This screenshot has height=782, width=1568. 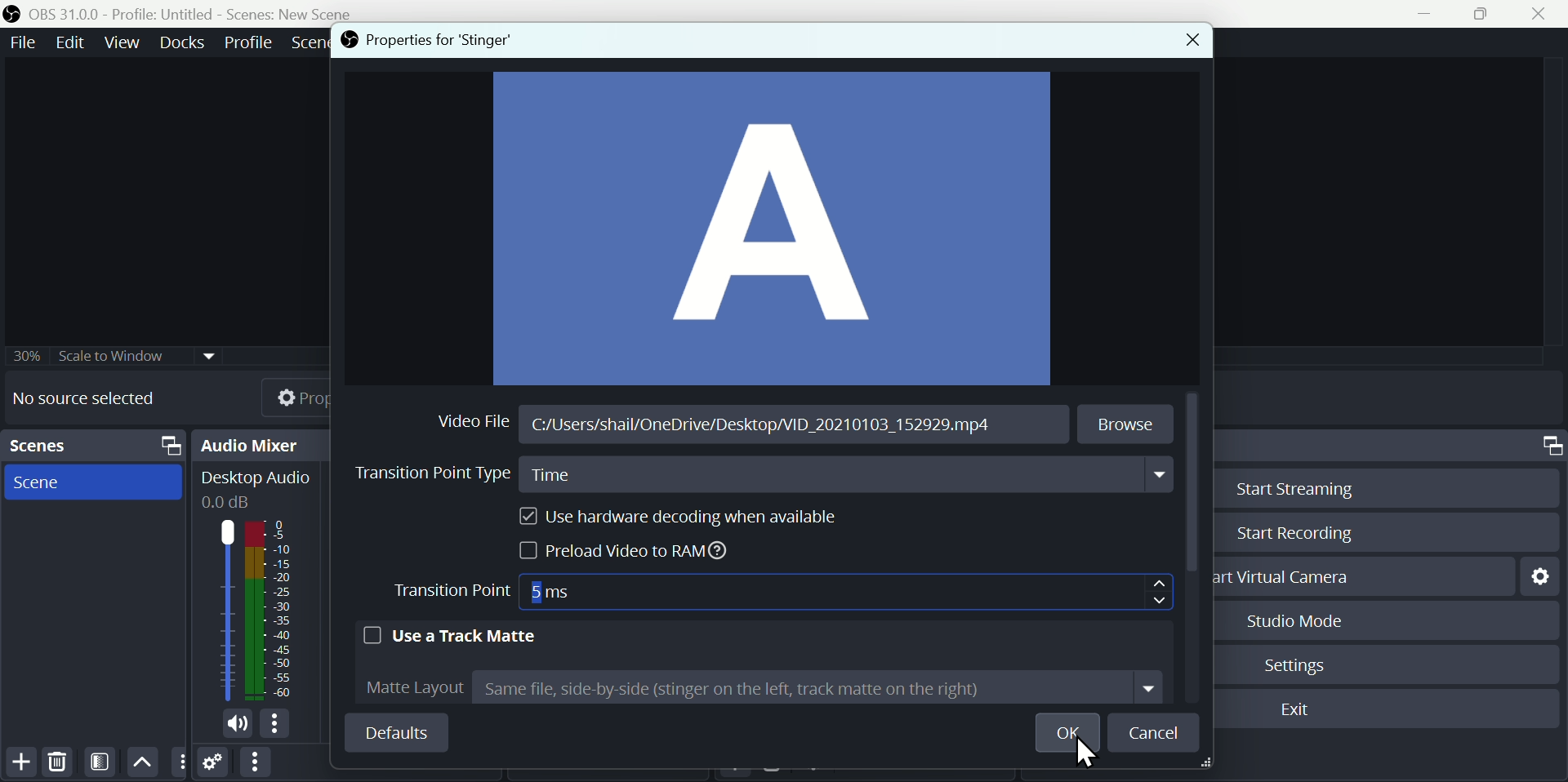 I want to click on Scroll bar, so click(x=1196, y=486).